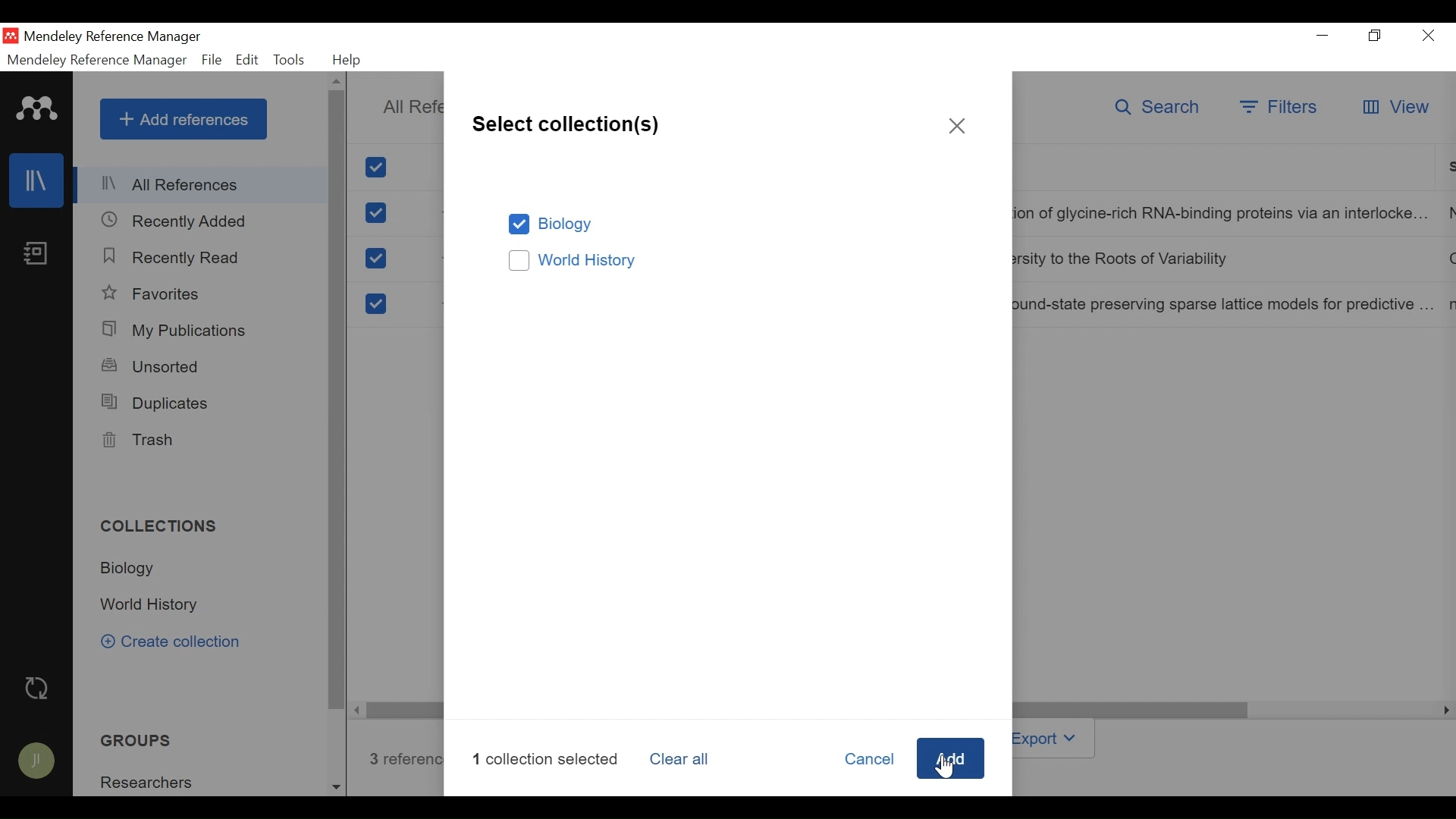 The image size is (1456, 819). I want to click on Collection, so click(152, 781).